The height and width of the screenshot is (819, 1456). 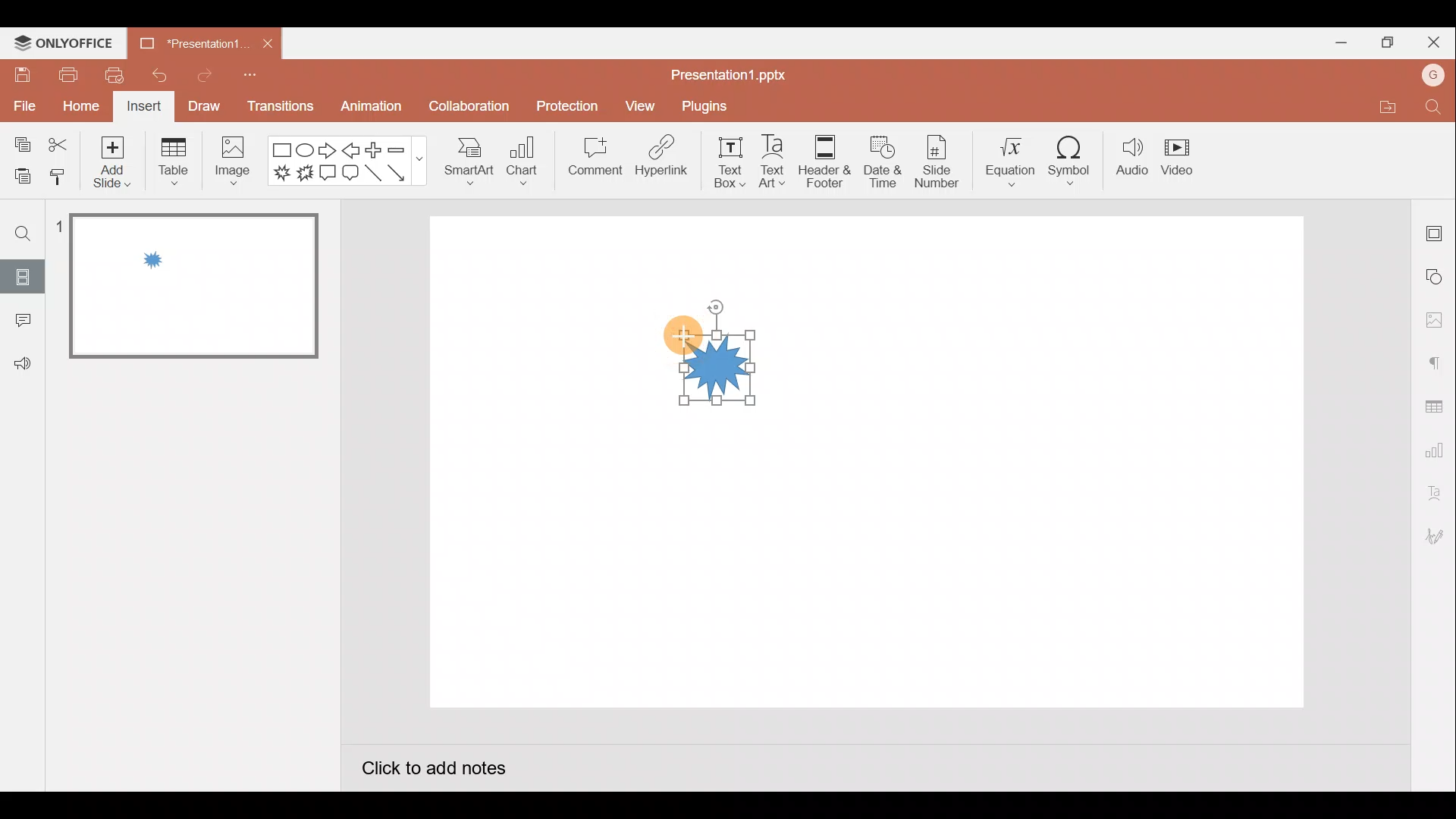 I want to click on Animation, so click(x=368, y=109).